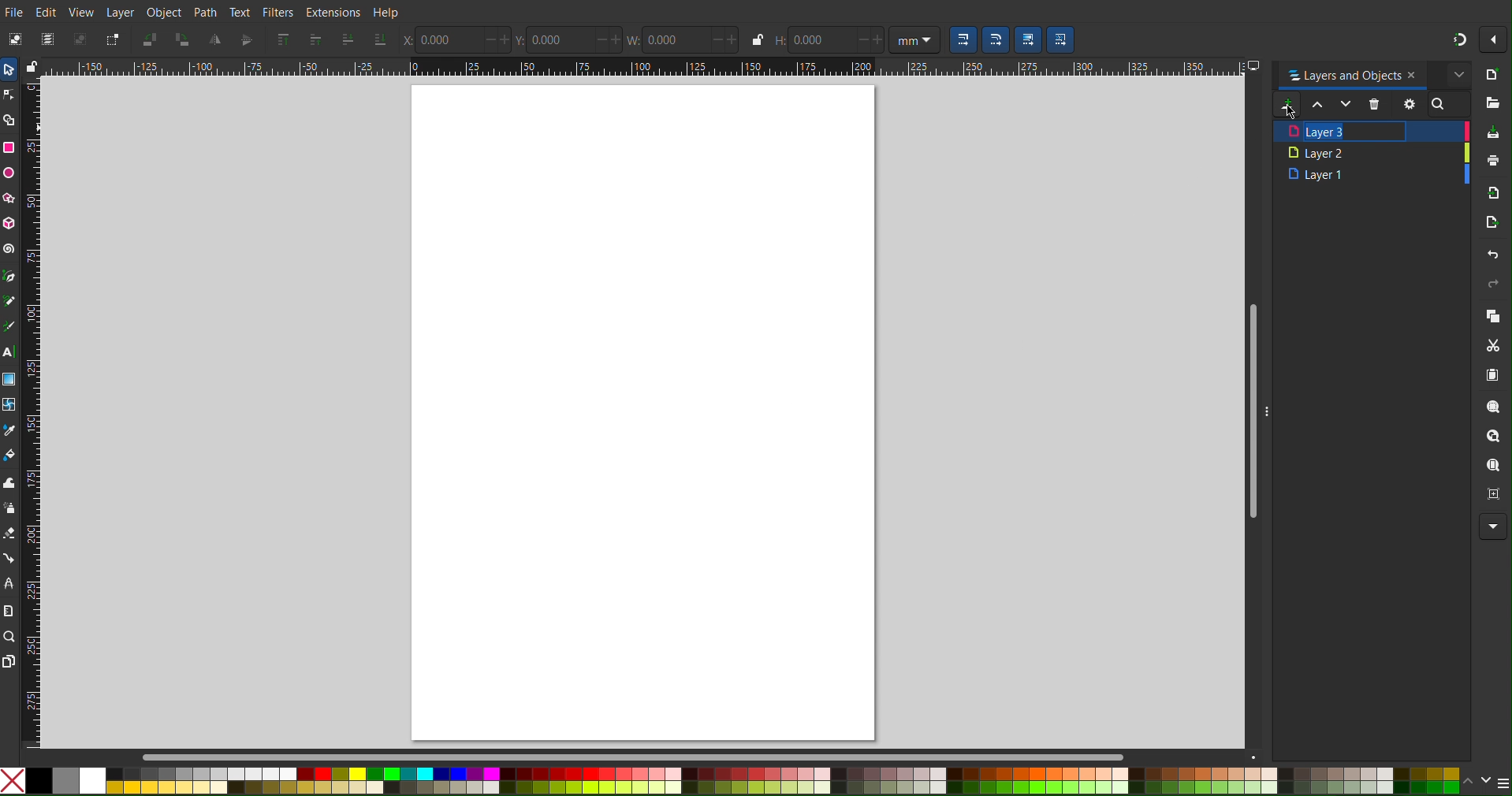  What do you see at coordinates (1492, 77) in the screenshot?
I see `New` at bounding box center [1492, 77].